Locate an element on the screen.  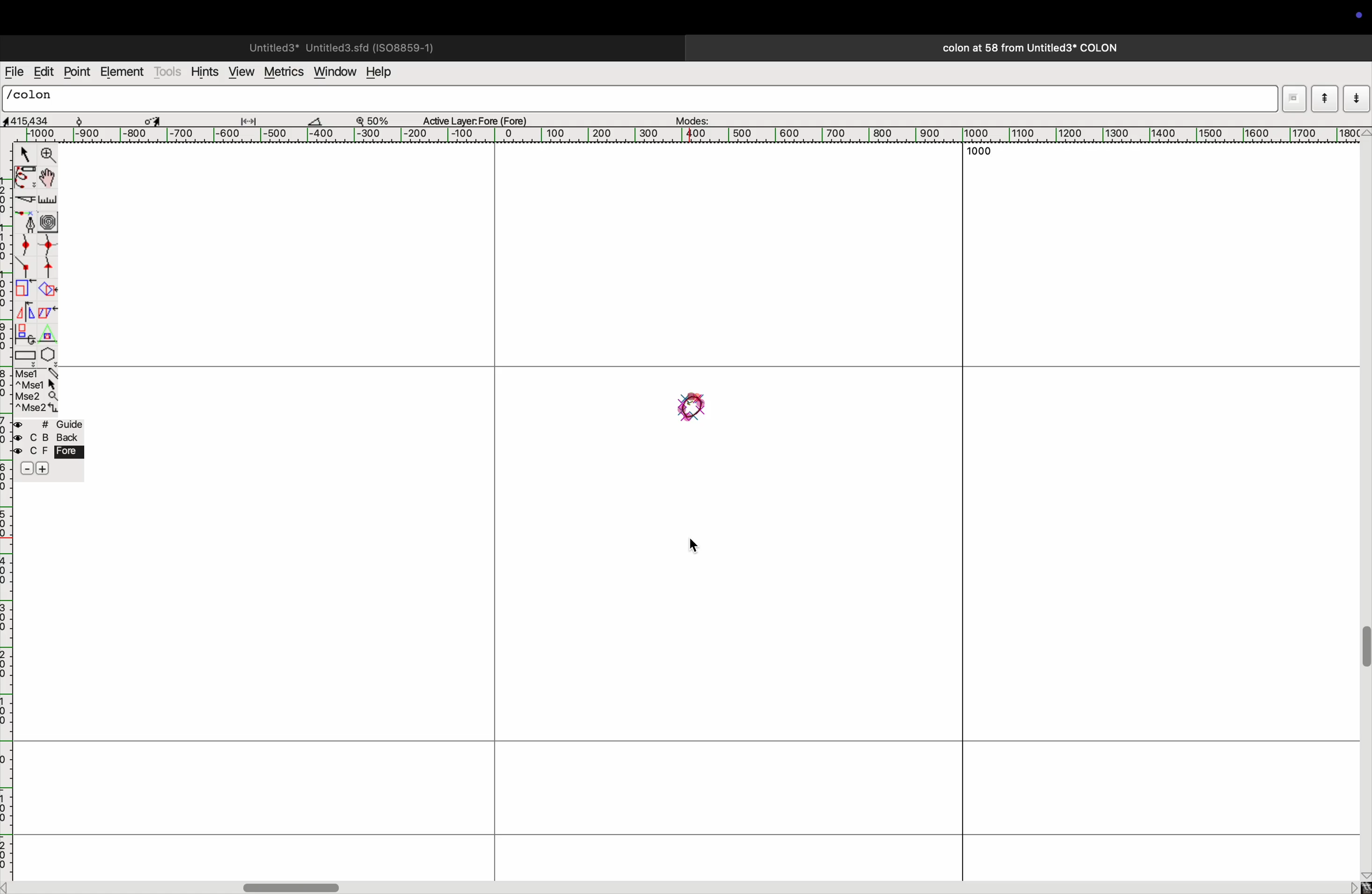
zoom is located at coordinates (49, 155).